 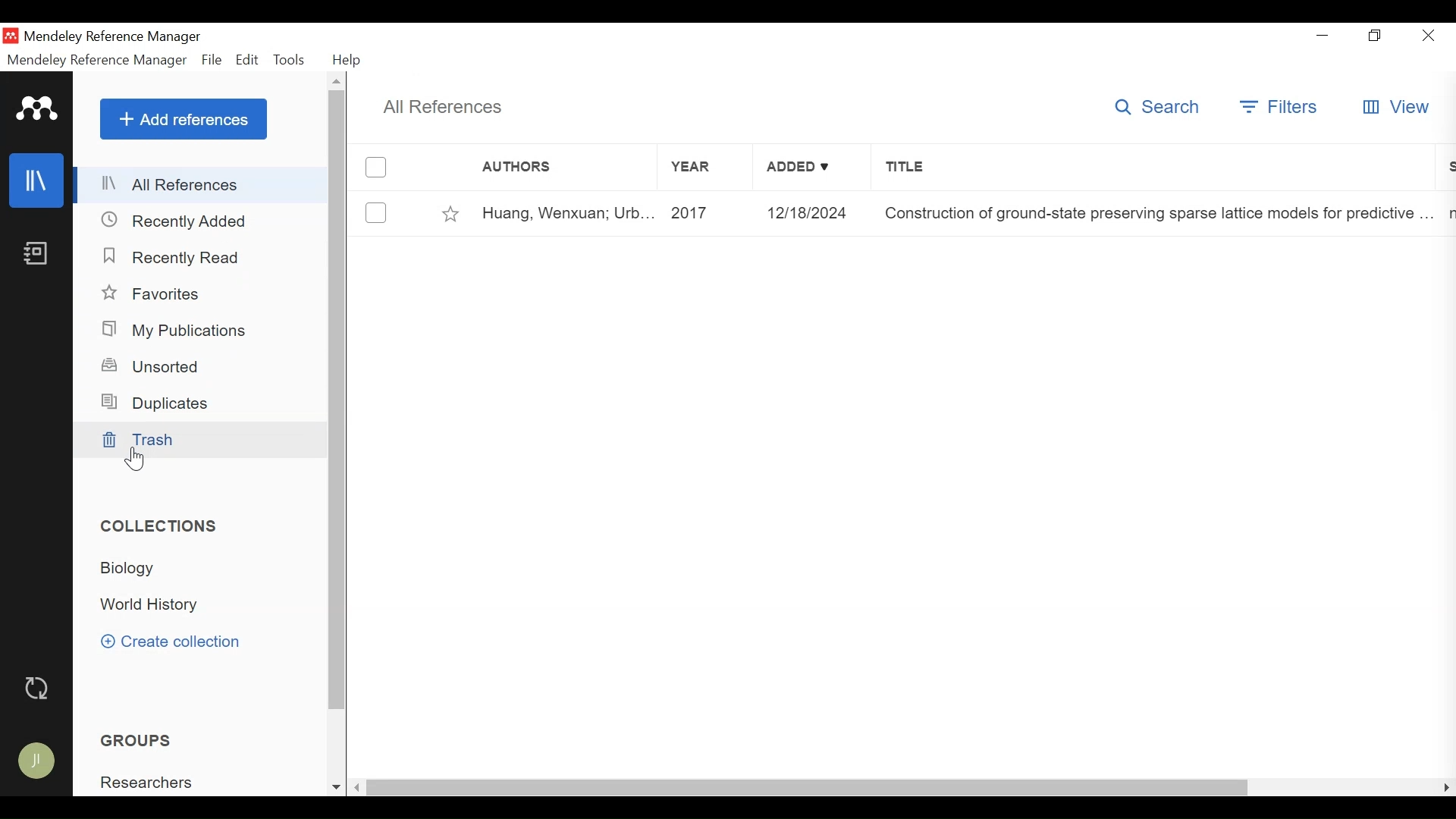 What do you see at coordinates (336, 80) in the screenshot?
I see `Scroll Up` at bounding box center [336, 80].